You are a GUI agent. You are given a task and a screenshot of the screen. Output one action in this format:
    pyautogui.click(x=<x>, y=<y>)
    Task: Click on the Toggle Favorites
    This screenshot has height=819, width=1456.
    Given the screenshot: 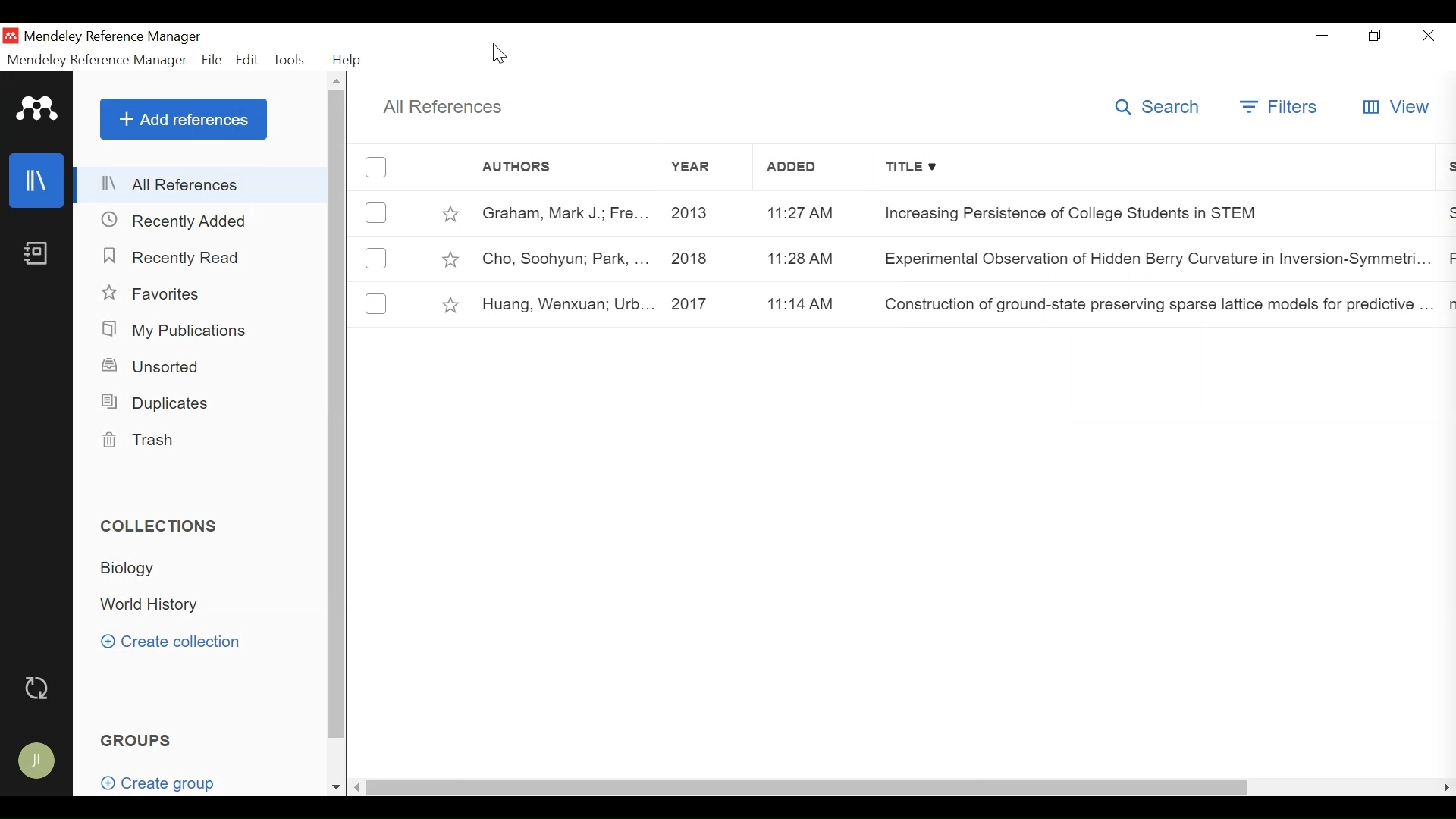 What is the action you would take?
    pyautogui.click(x=450, y=260)
    